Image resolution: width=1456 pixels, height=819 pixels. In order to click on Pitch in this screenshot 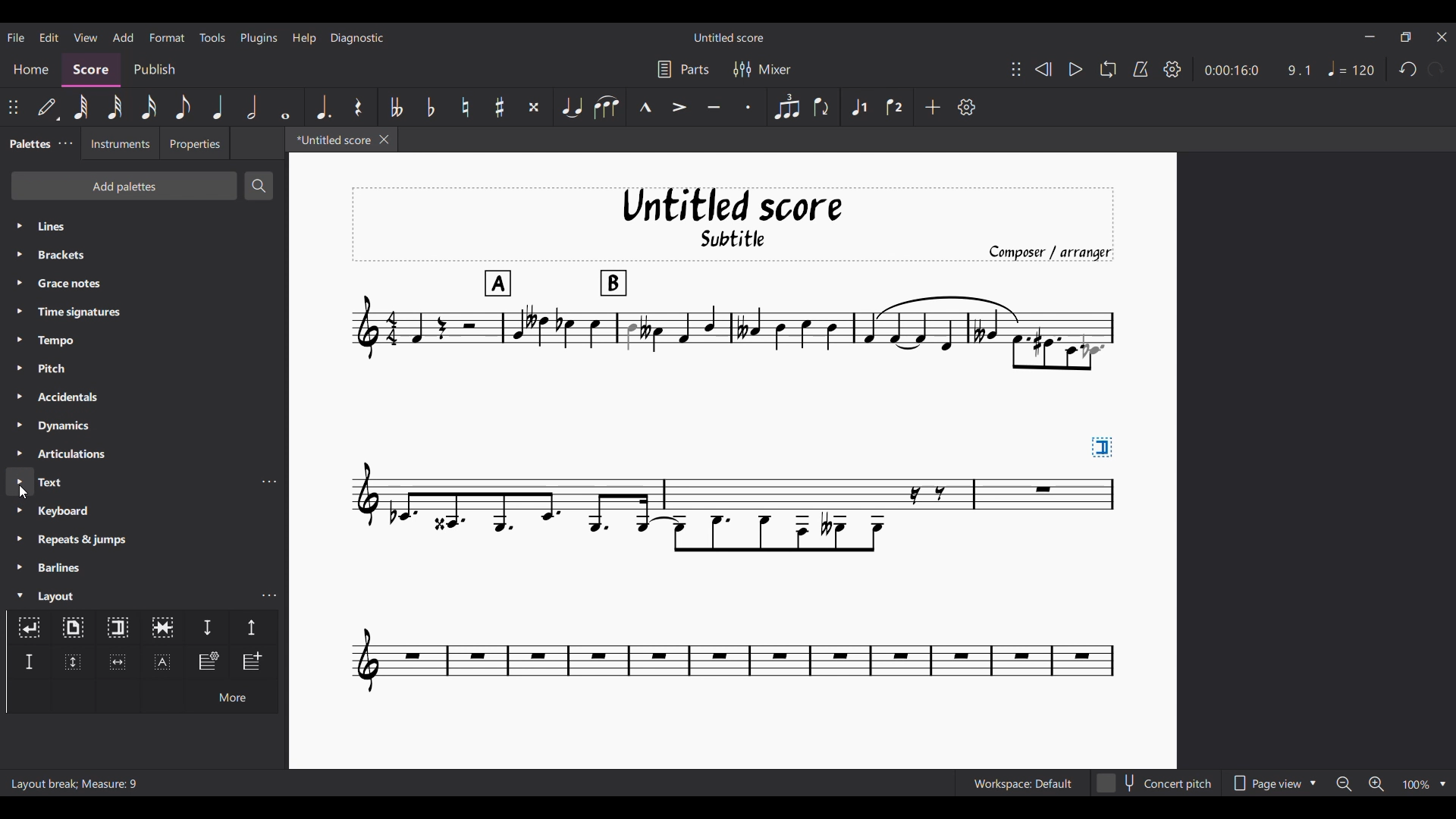, I will do `click(144, 368)`.